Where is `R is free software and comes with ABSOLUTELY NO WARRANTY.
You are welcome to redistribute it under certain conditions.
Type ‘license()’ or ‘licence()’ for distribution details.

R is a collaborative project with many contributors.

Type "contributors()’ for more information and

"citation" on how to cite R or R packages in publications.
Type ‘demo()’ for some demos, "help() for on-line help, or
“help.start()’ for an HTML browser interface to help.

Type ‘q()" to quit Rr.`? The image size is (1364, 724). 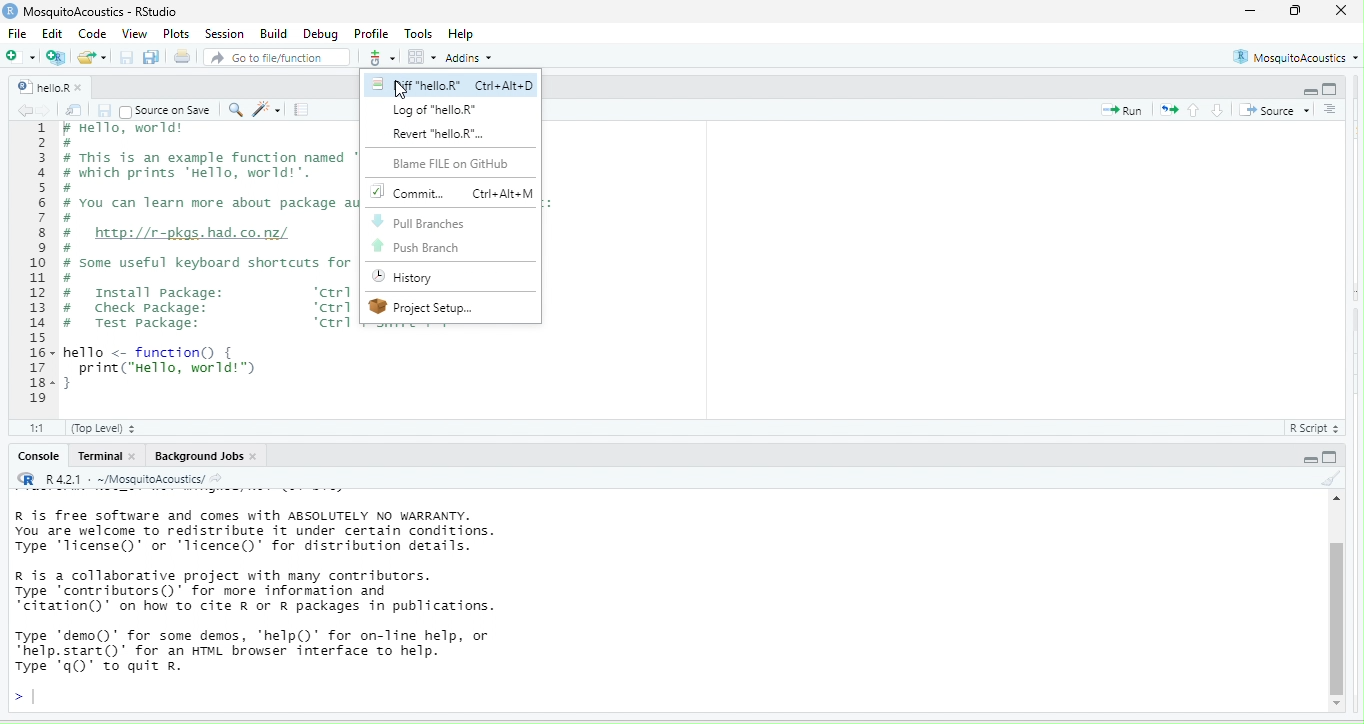
R is free software and comes with ABSOLUTELY NO WARRANTY.
You are welcome to redistribute it under certain conditions.
Type ‘license()’ or ‘licence()’ for distribution details.

R is a collaborative project with many contributors.

Type "contributors()’ for more information and

"citation" on how to cite R or R packages in publications.
Type ‘demo()’ for some demos, "help() for on-line help, or
“help.start()’ for an HTML browser interface to help.

Type ‘q()" to quit Rr. is located at coordinates (324, 593).